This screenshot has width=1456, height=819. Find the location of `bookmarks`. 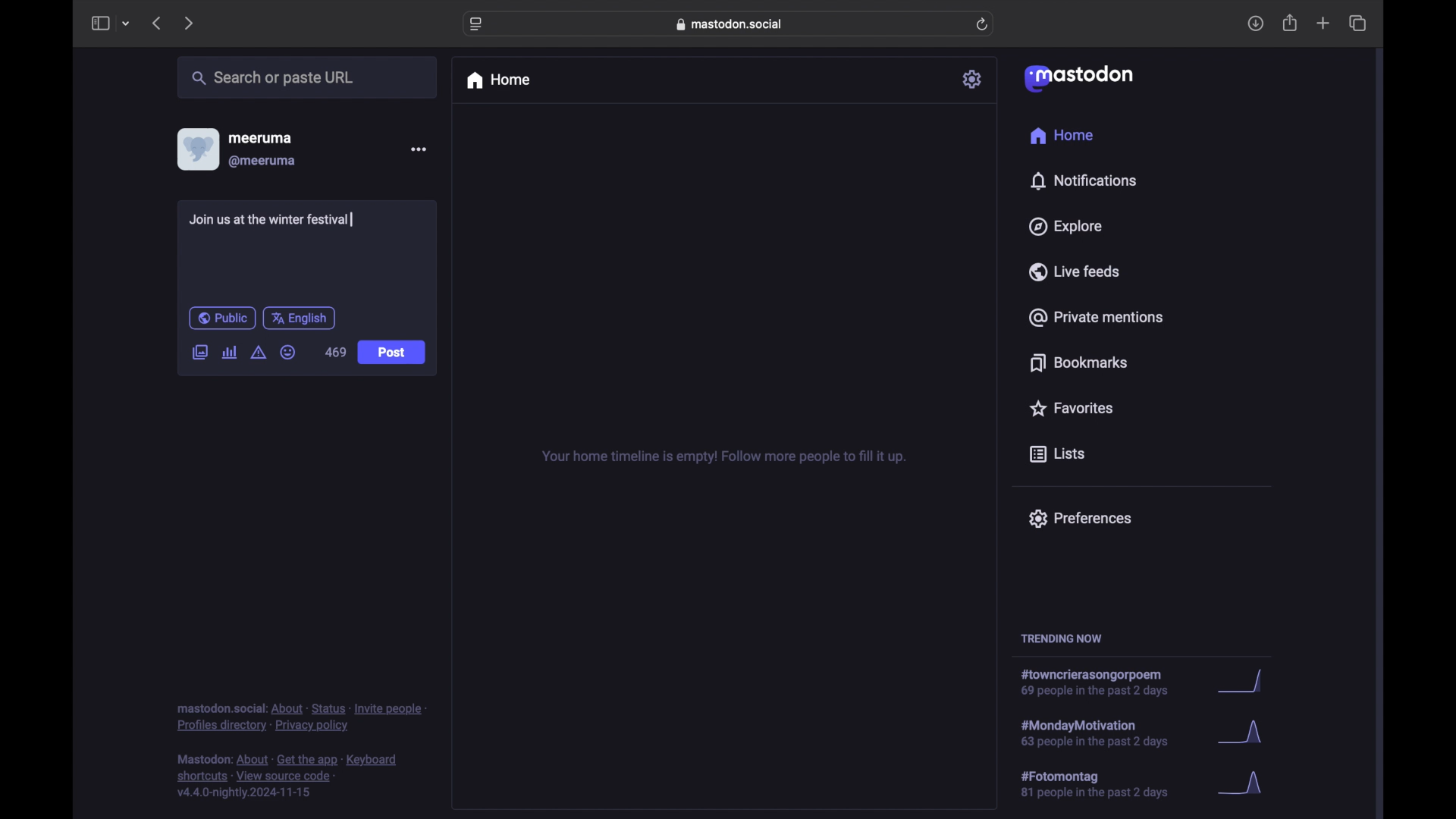

bookmarks is located at coordinates (1078, 362).